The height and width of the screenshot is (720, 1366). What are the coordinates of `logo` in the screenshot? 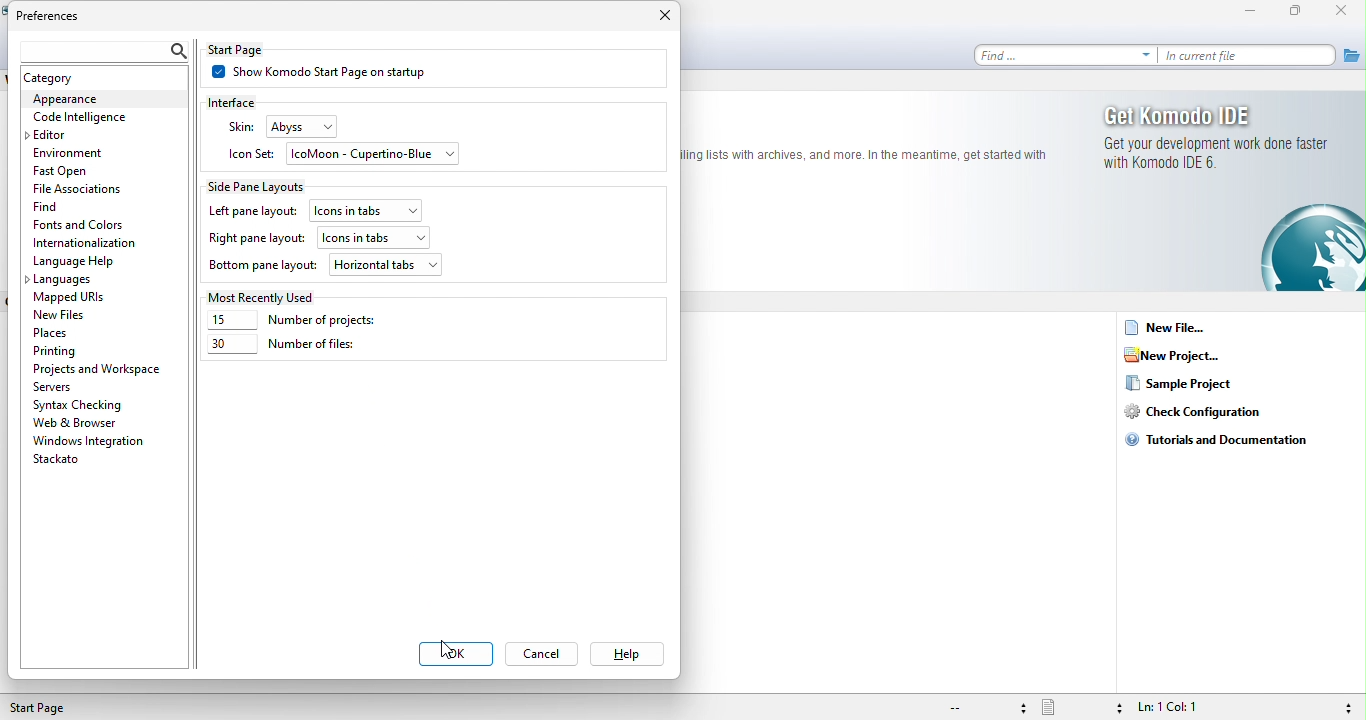 It's located at (1311, 248).